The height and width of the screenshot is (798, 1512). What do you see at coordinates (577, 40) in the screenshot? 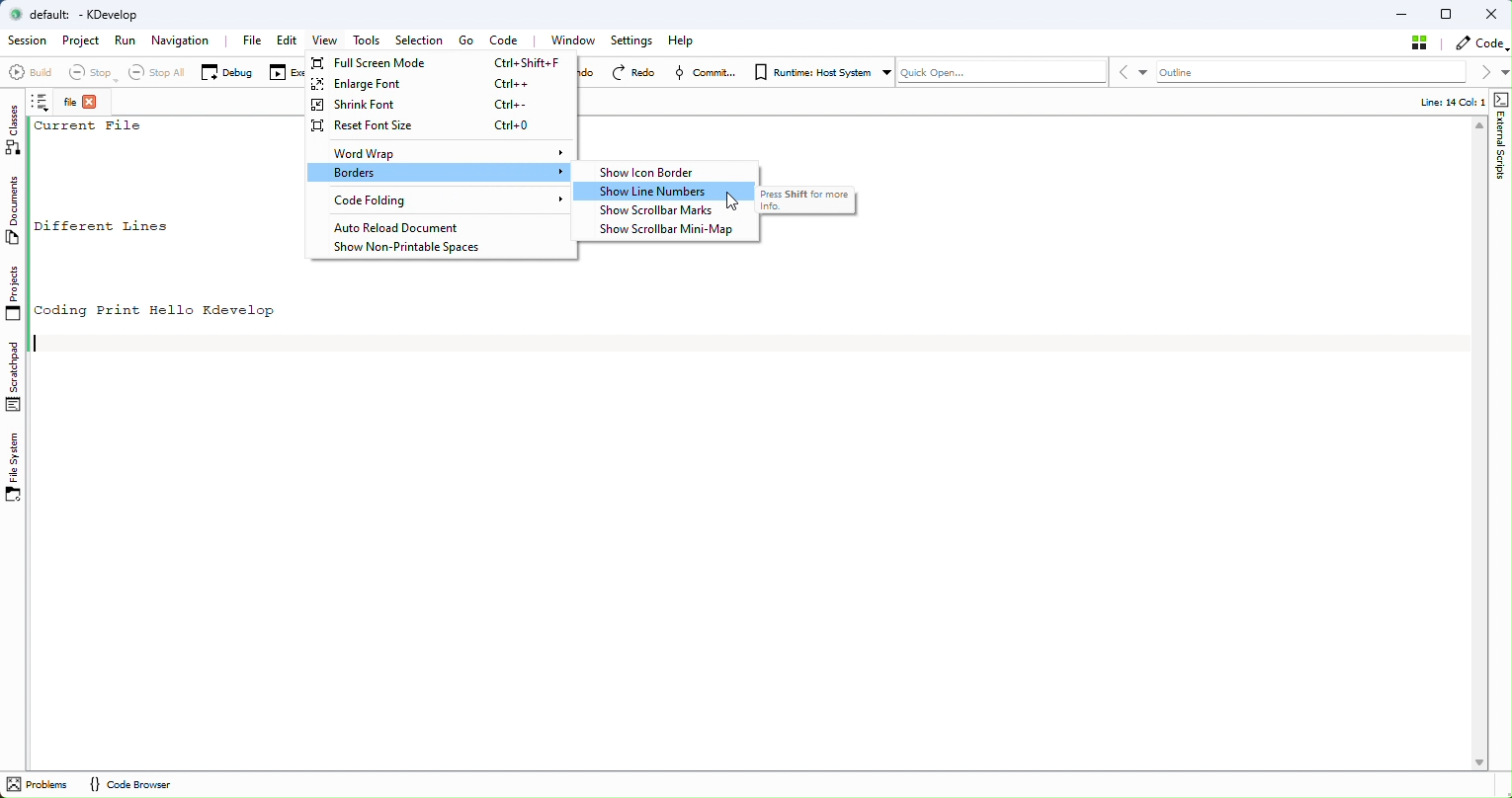
I see `Window` at bounding box center [577, 40].